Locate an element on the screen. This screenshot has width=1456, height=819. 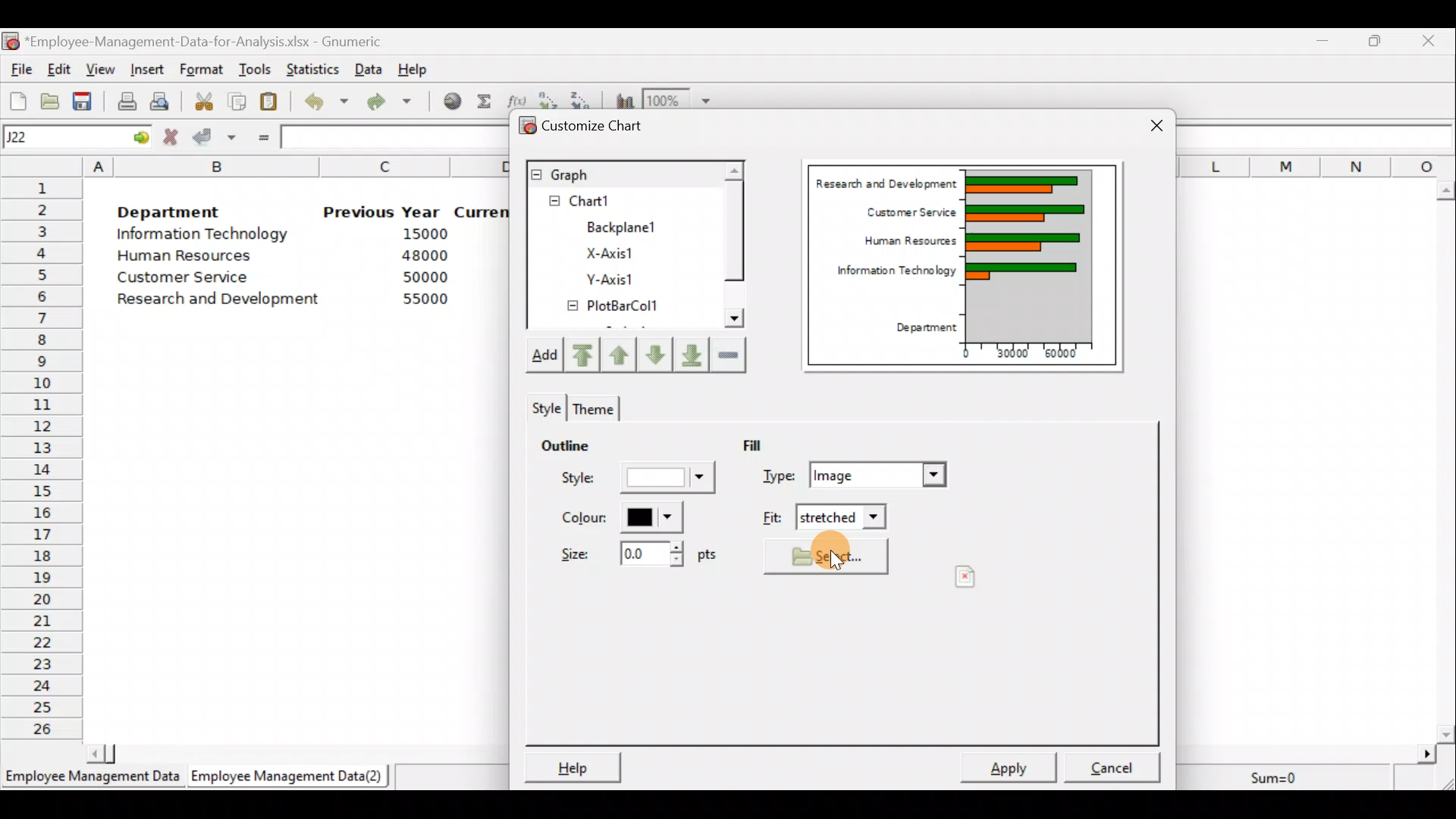
Paste the clipboard is located at coordinates (273, 103).